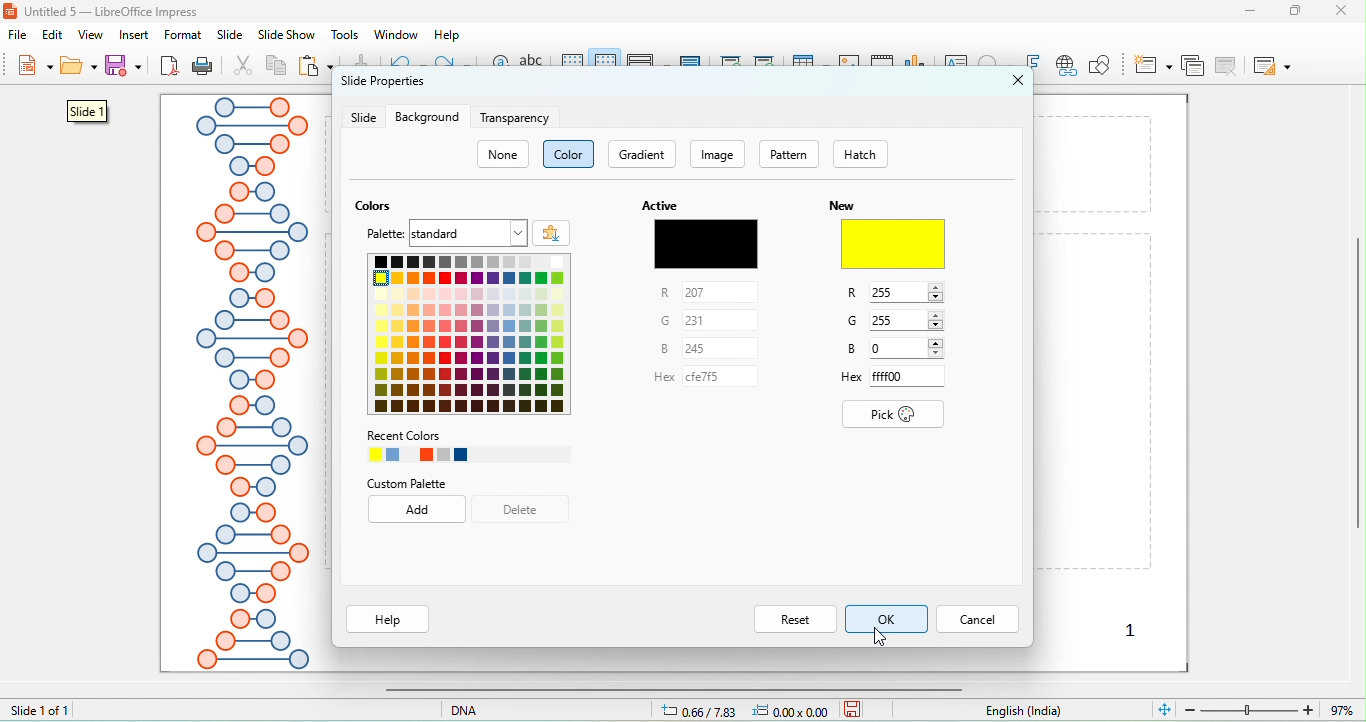 Image resolution: width=1366 pixels, height=722 pixels. I want to click on slide layout, so click(1271, 65).